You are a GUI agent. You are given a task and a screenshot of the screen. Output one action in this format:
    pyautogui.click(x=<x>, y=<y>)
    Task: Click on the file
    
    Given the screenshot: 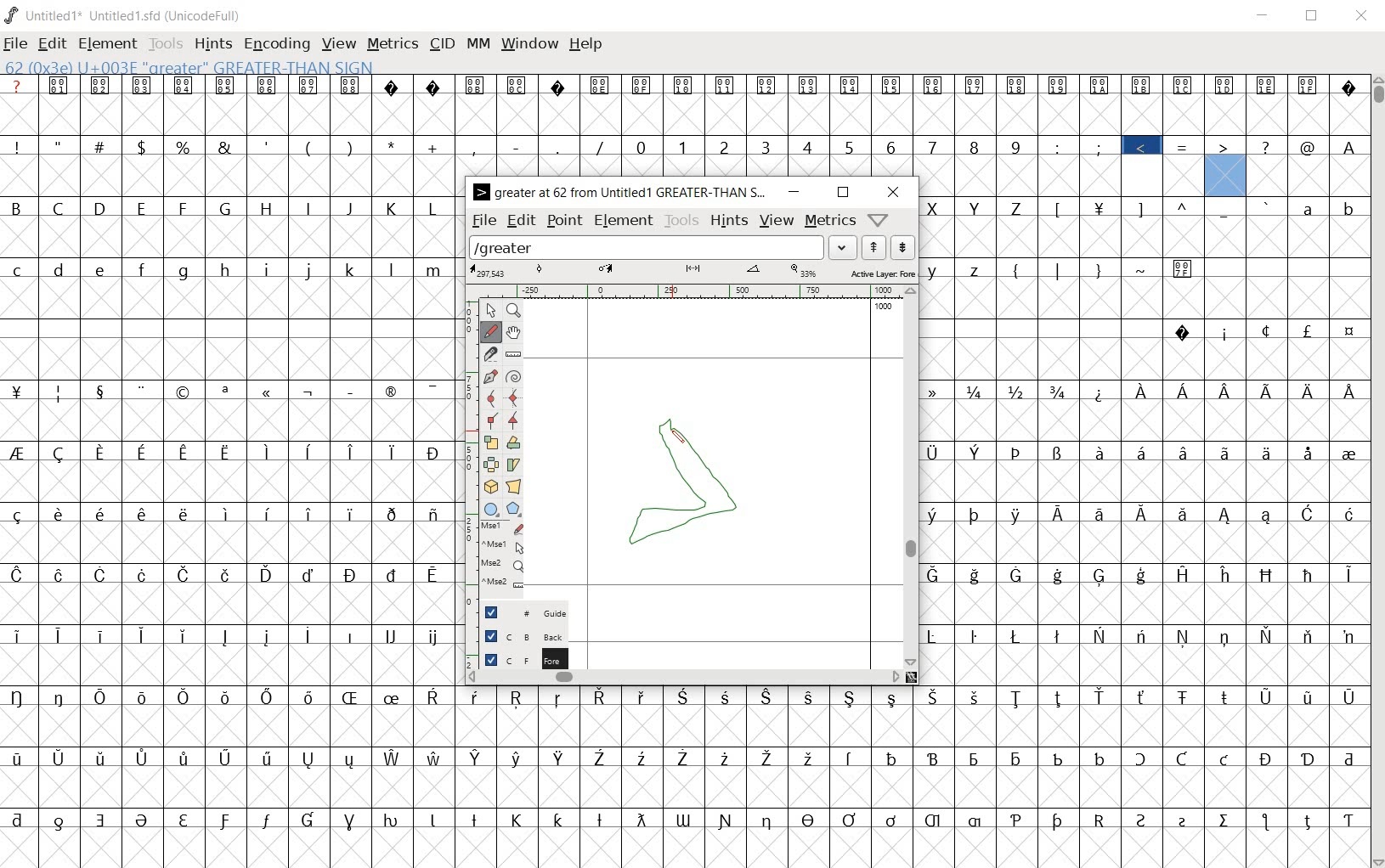 What is the action you would take?
    pyautogui.click(x=483, y=221)
    